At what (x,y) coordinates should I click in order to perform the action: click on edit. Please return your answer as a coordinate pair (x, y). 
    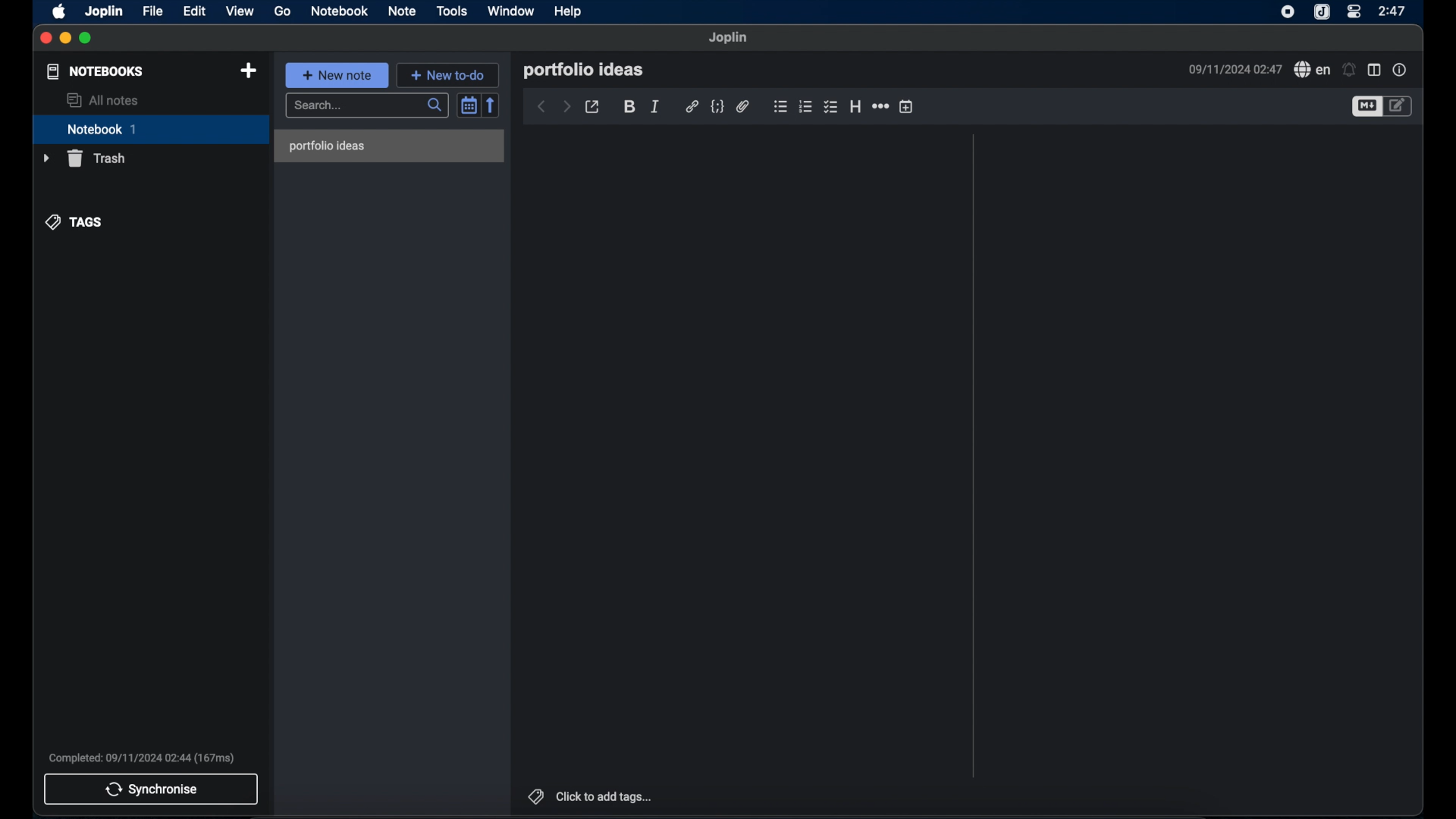
    Looking at the image, I should click on (195, 11).